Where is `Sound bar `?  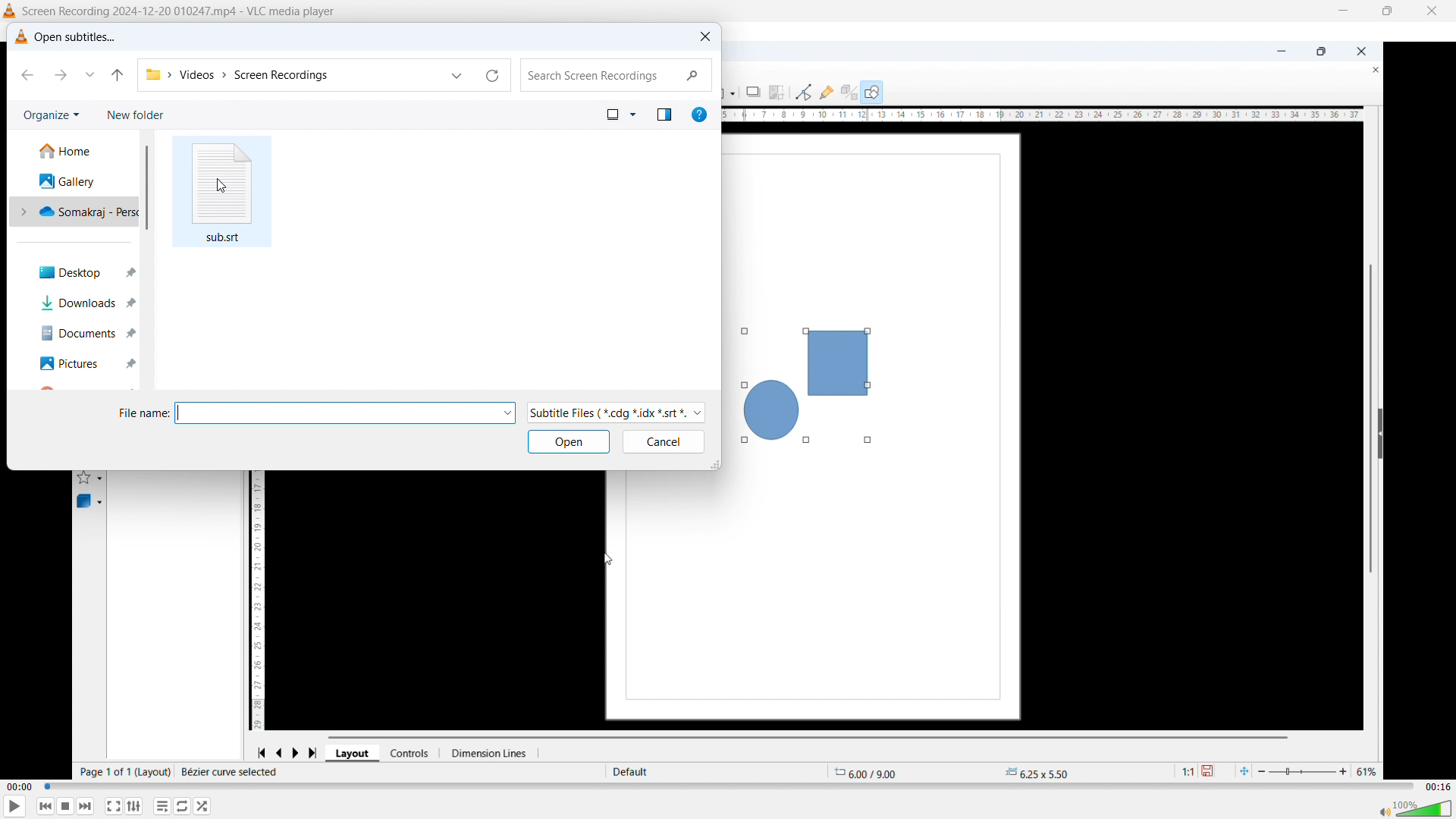
Sound bar  is located at coordinates (1414, 810).